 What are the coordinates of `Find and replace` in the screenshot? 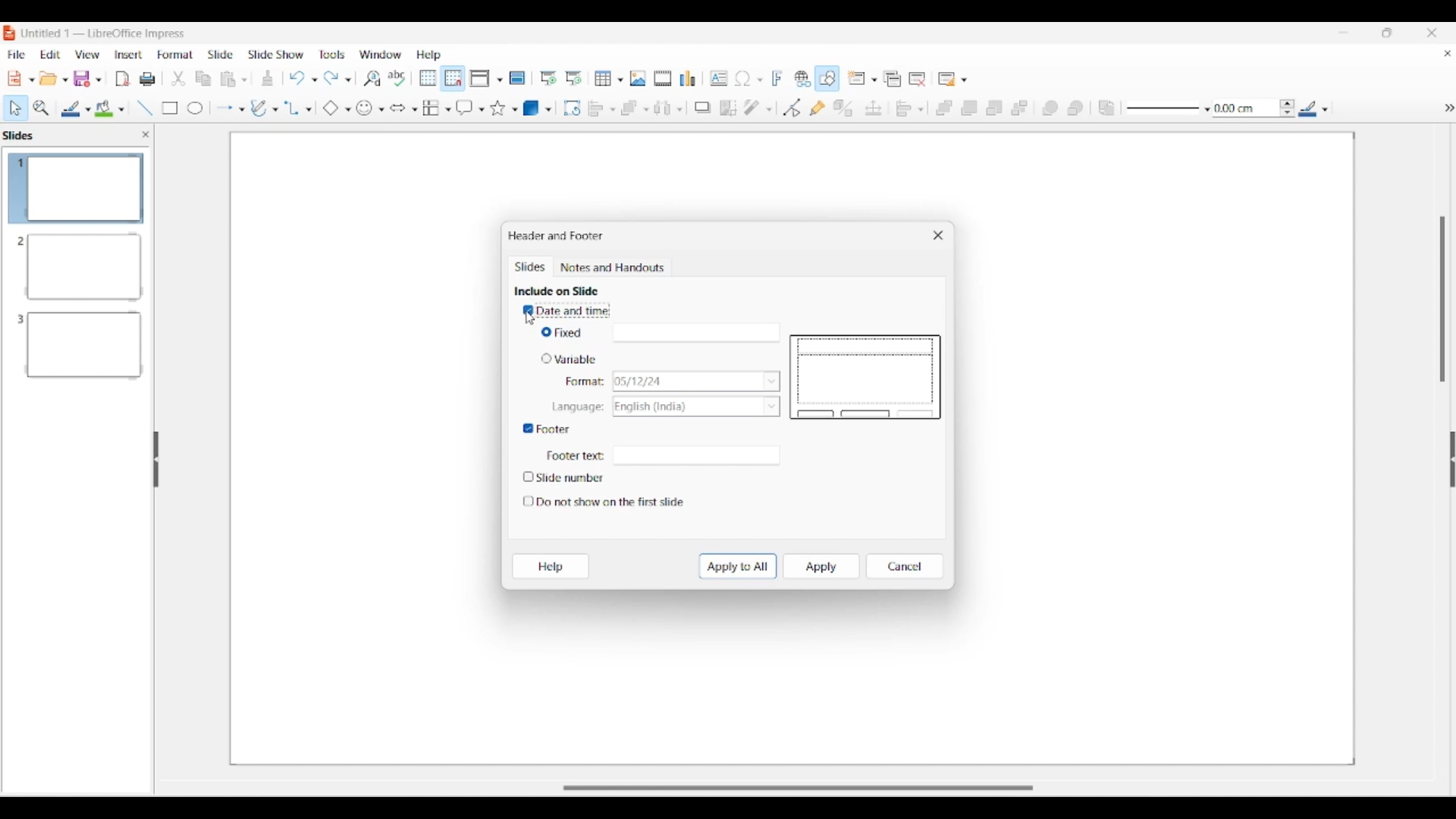 It's located at (372, 78).